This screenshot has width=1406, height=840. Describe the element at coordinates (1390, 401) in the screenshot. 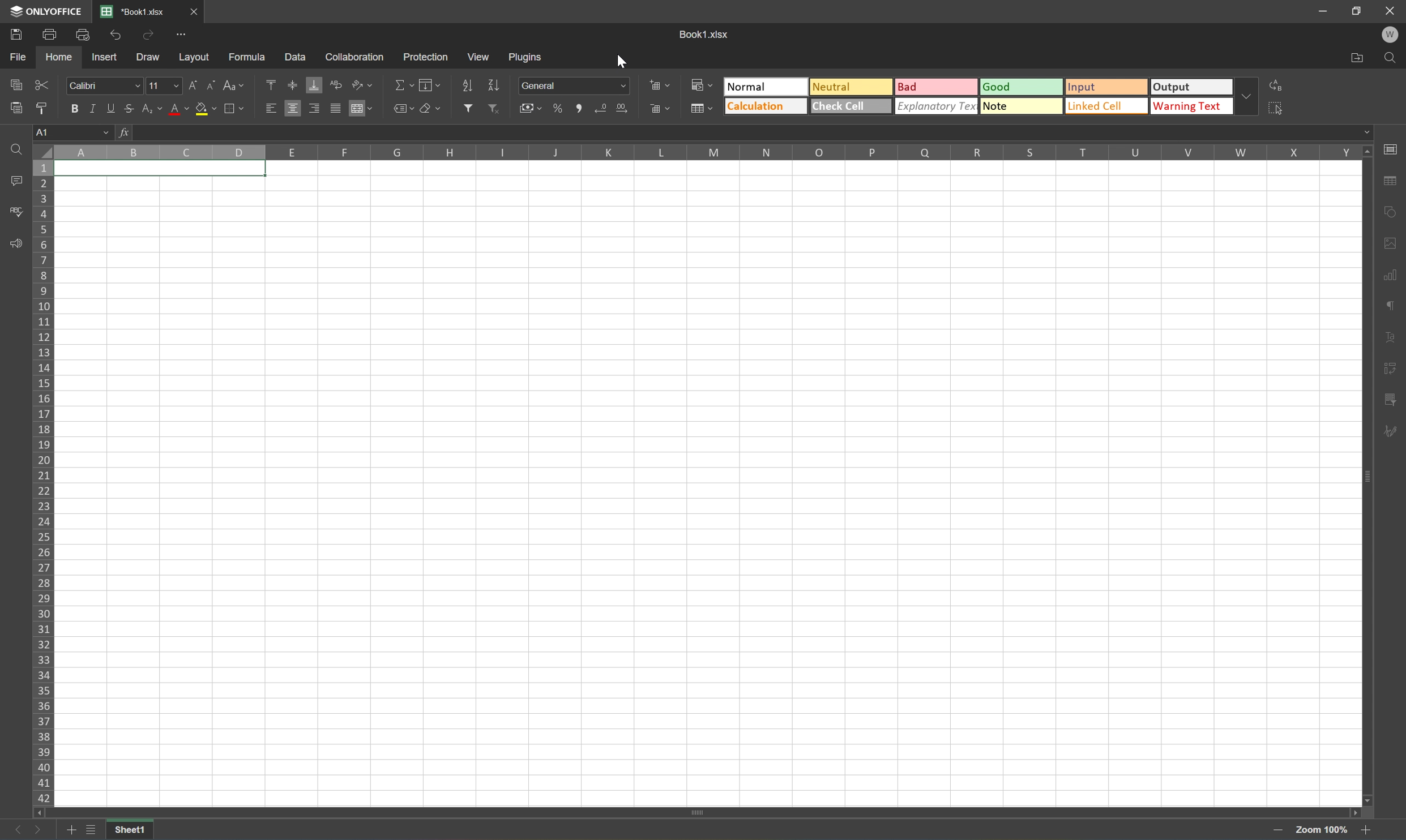

I see `Pivot table settings` at that location.